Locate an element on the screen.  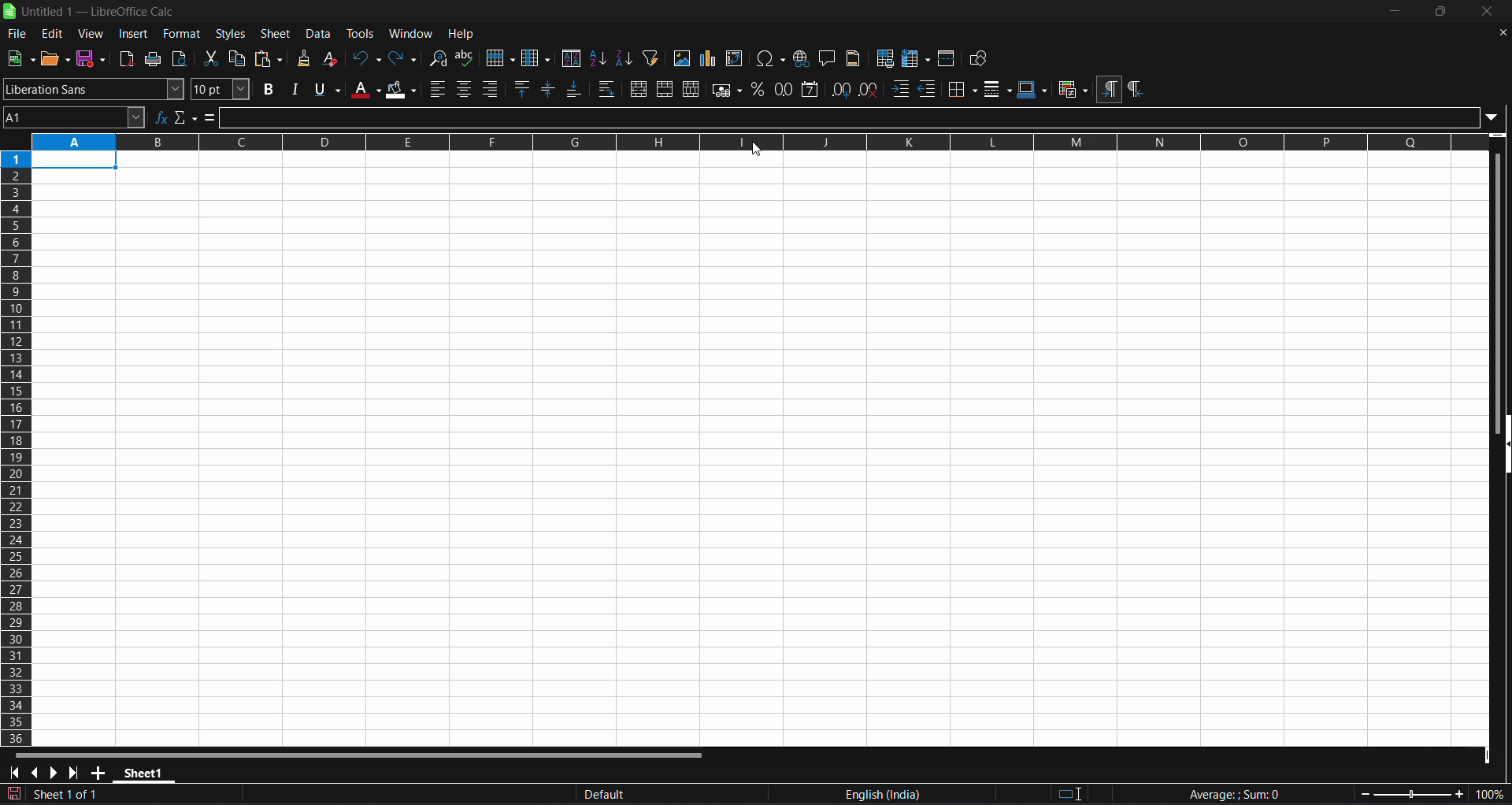
print is located at coordinates (154, 59).